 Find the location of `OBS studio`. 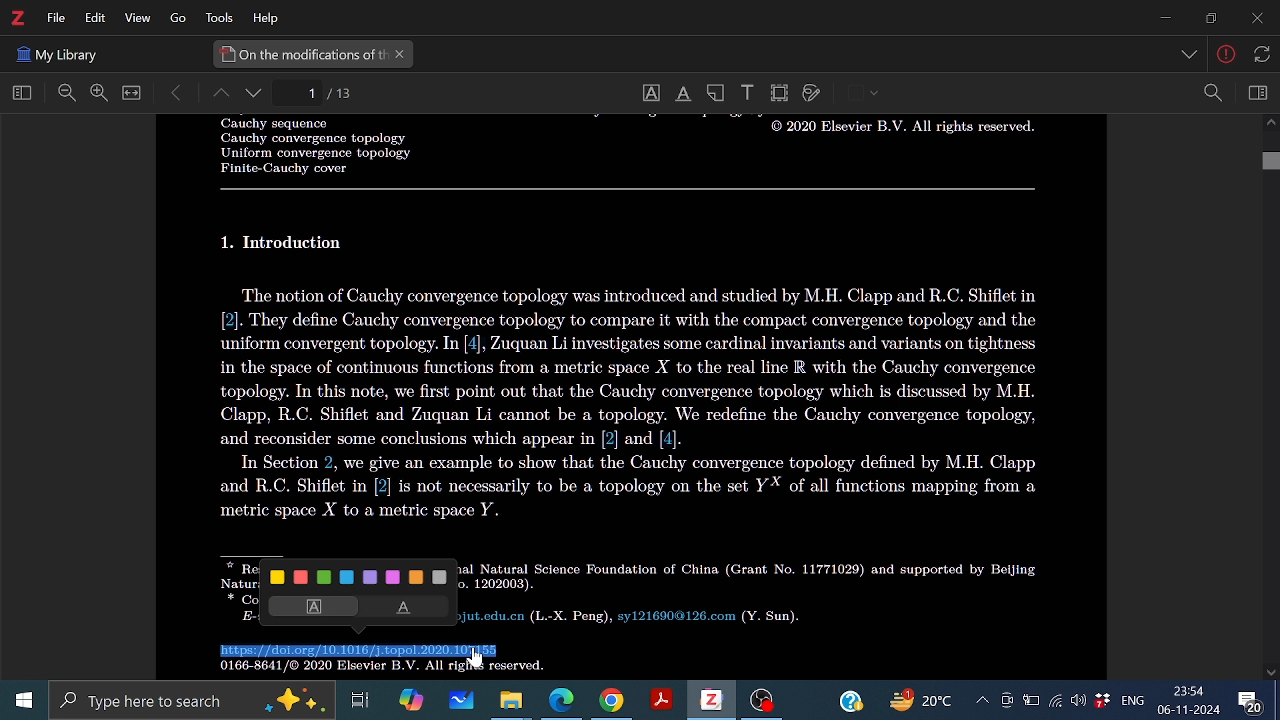

OBS studio is located at coordinates (762, 702).